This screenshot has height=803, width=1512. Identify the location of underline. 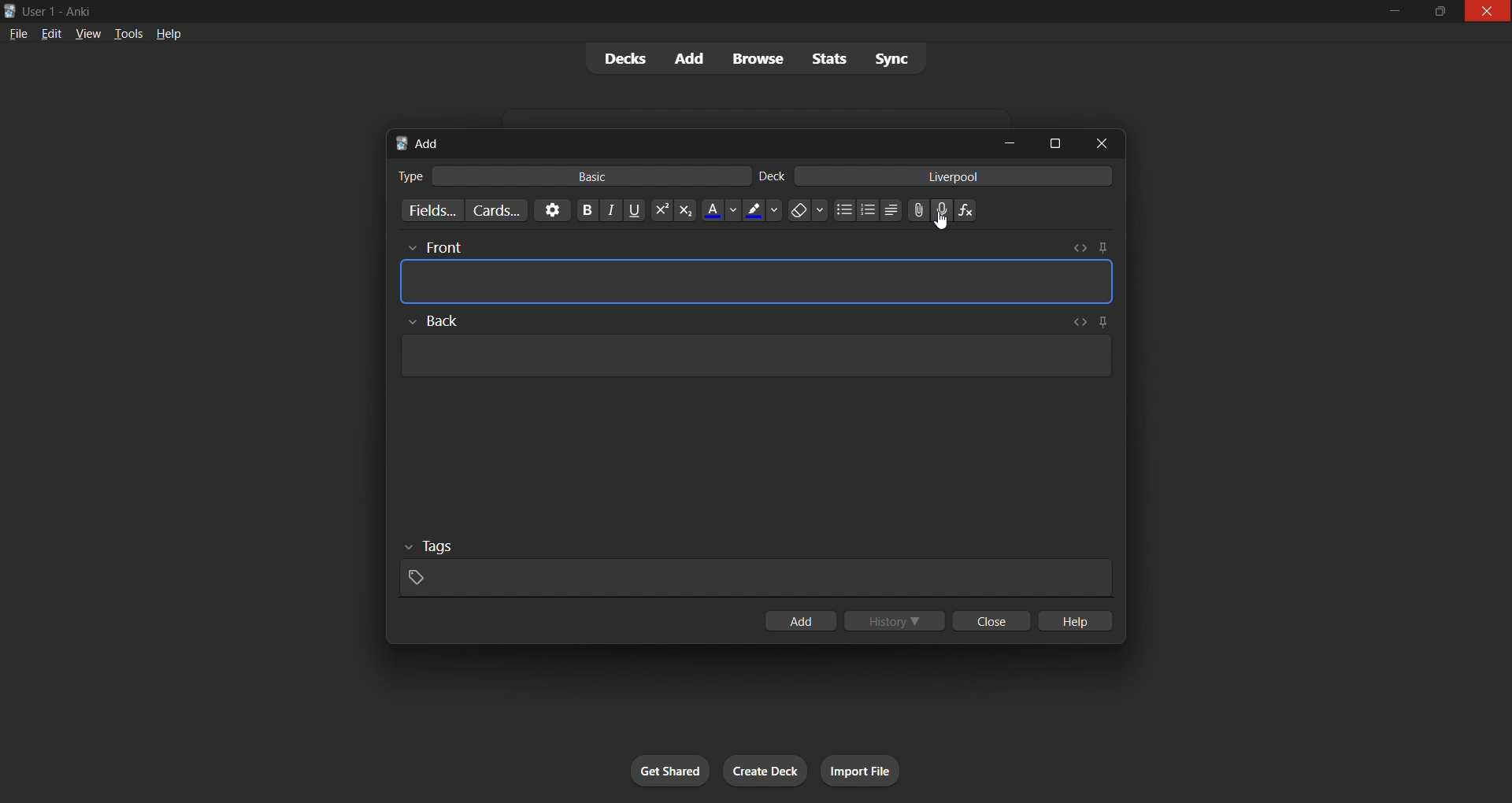
(634, 210).